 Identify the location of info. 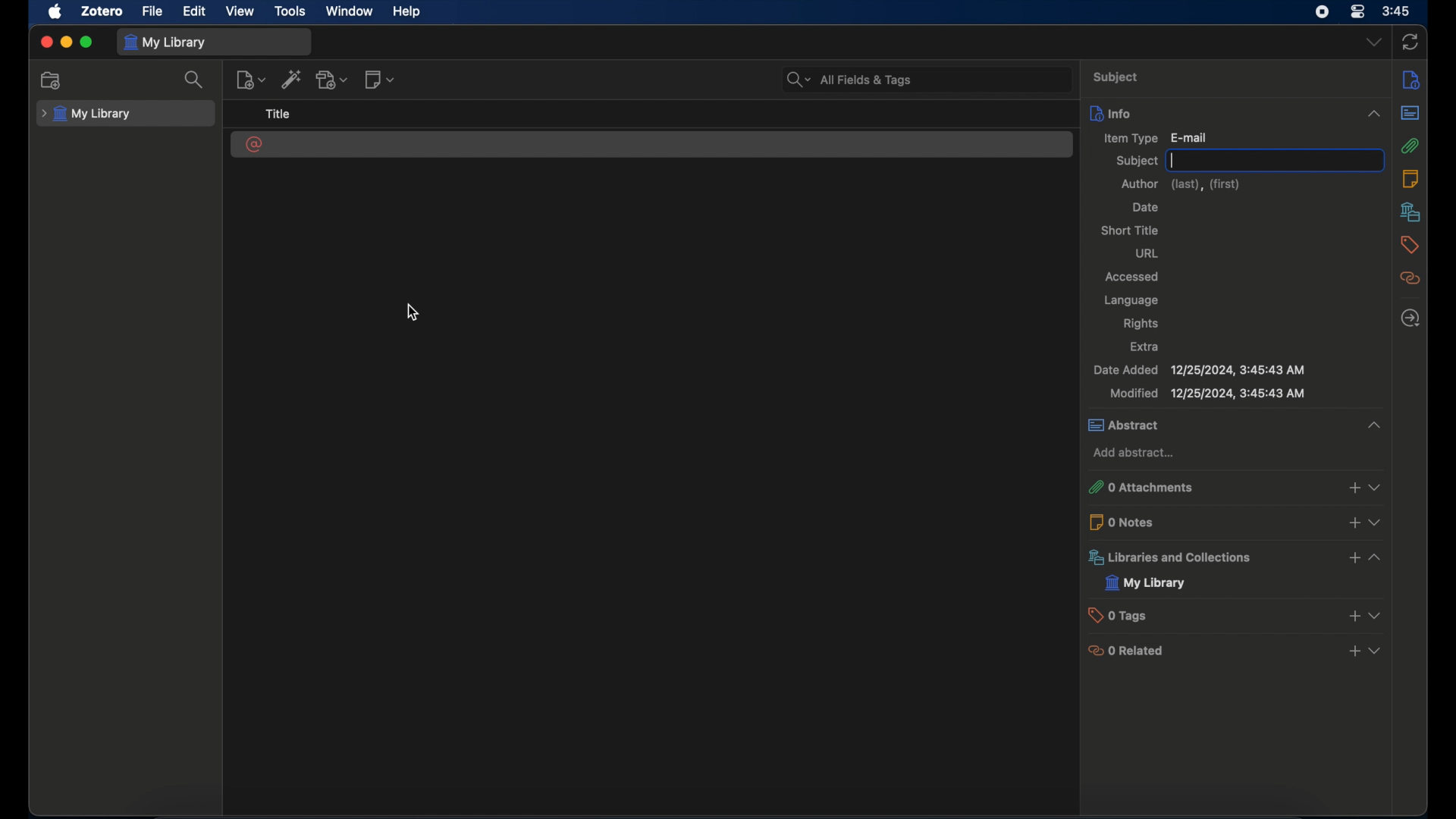
(1412, 79).